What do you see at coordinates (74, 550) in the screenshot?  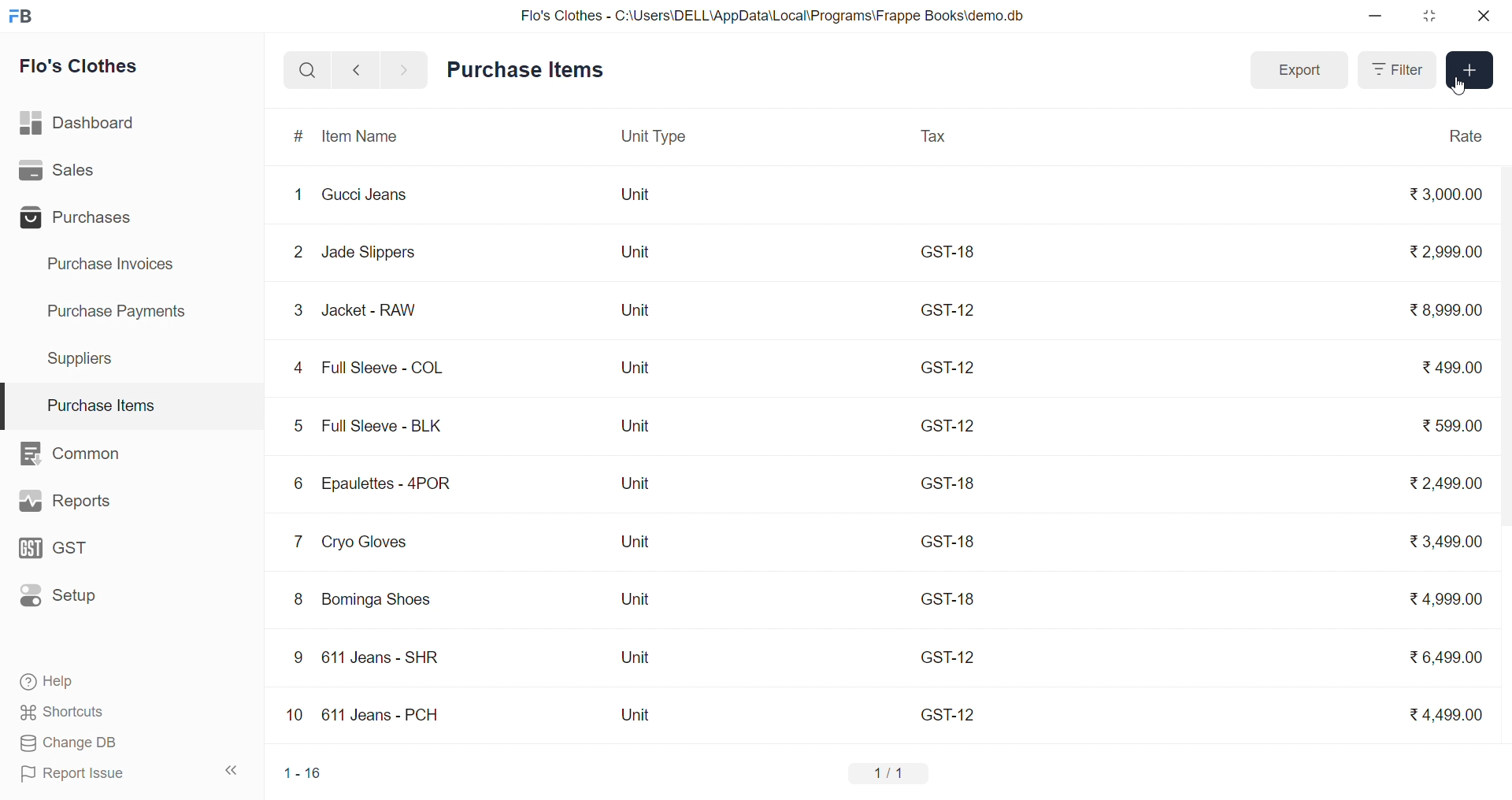 I see `GST` at bounding box center [74, 550].